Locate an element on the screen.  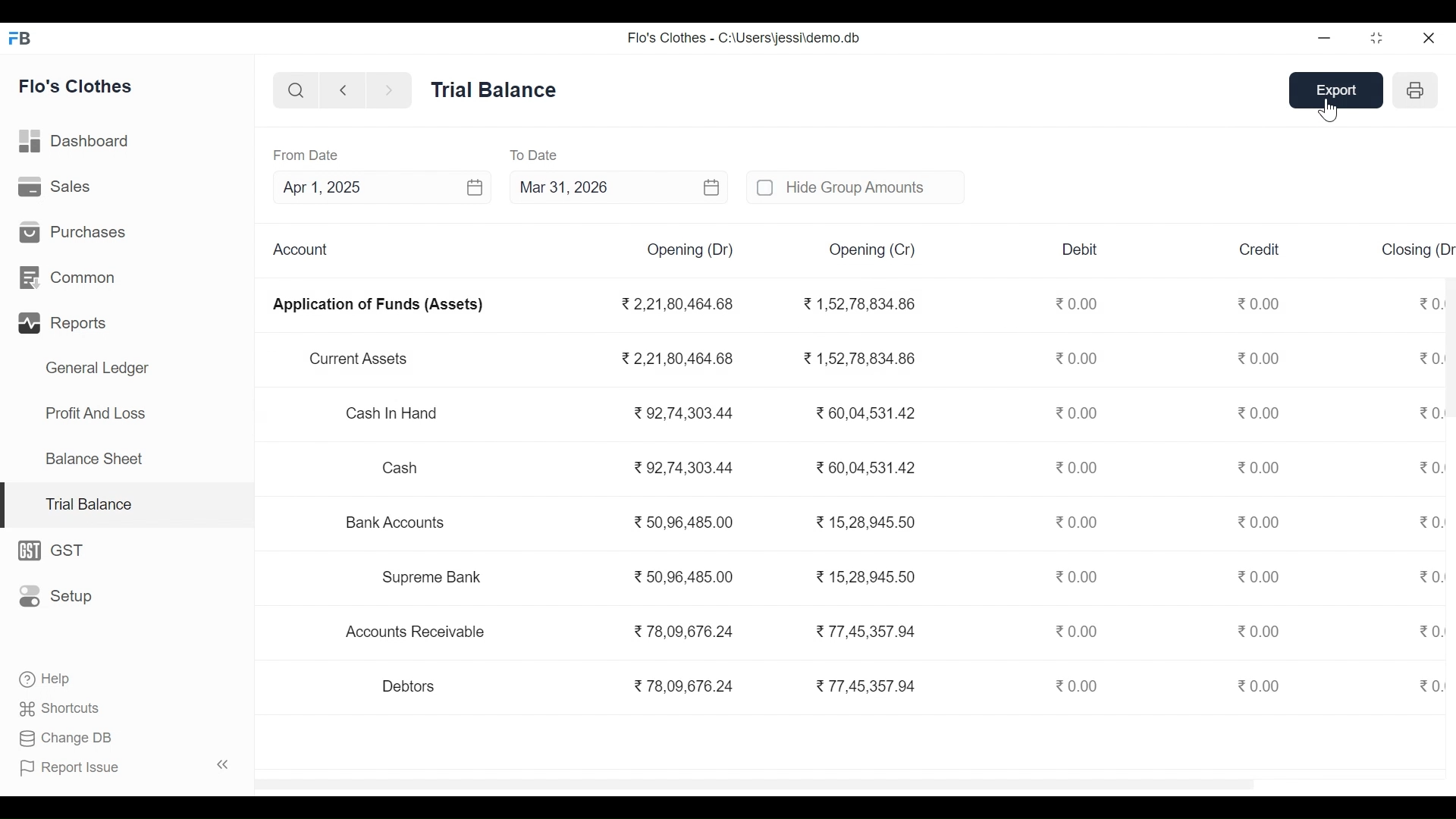
Closing (Dr) is located at coordinates (1417, 247).